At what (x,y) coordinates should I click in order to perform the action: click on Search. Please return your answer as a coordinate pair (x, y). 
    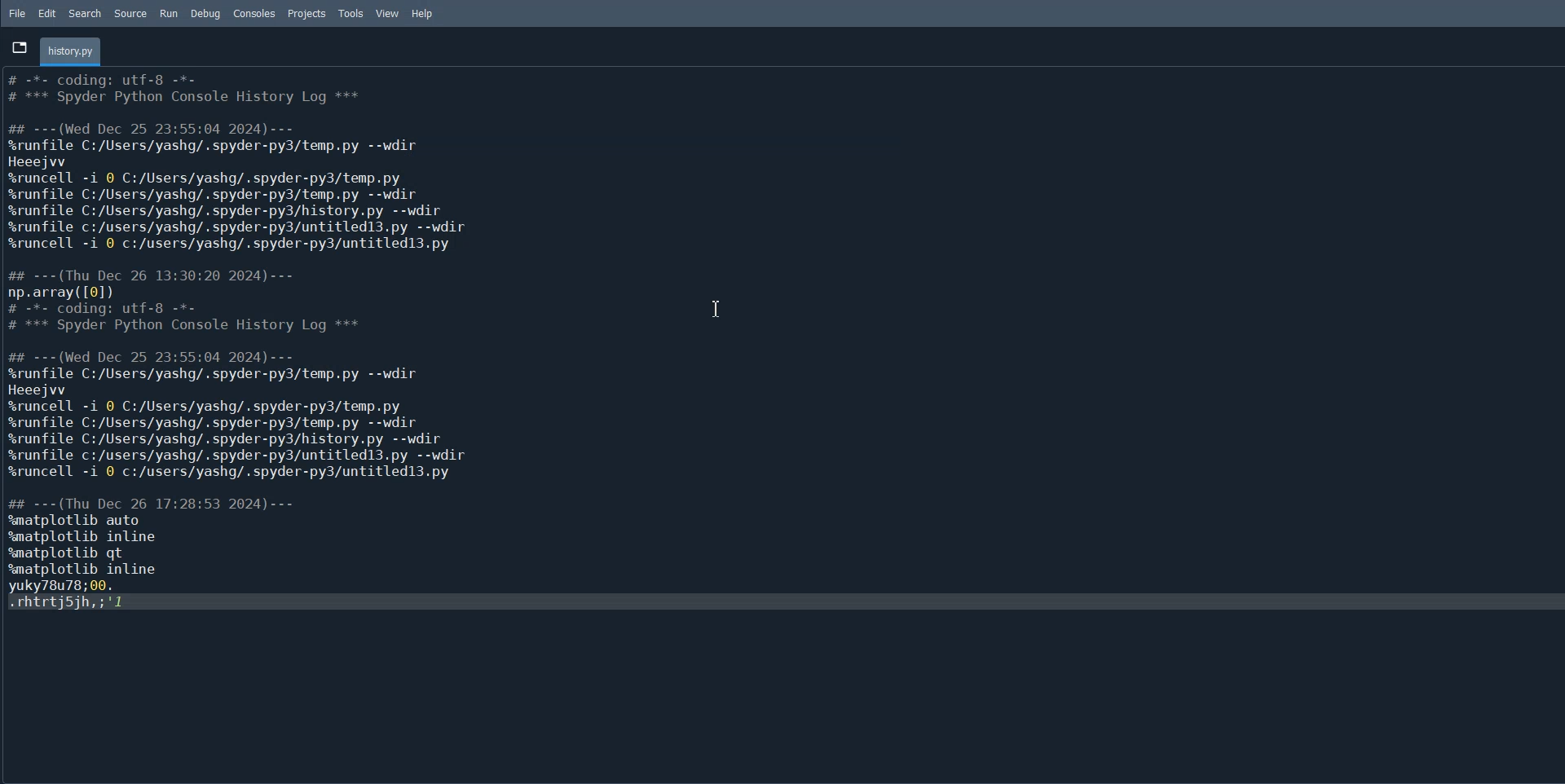
    Looking at the image, I should click on (85, 13).